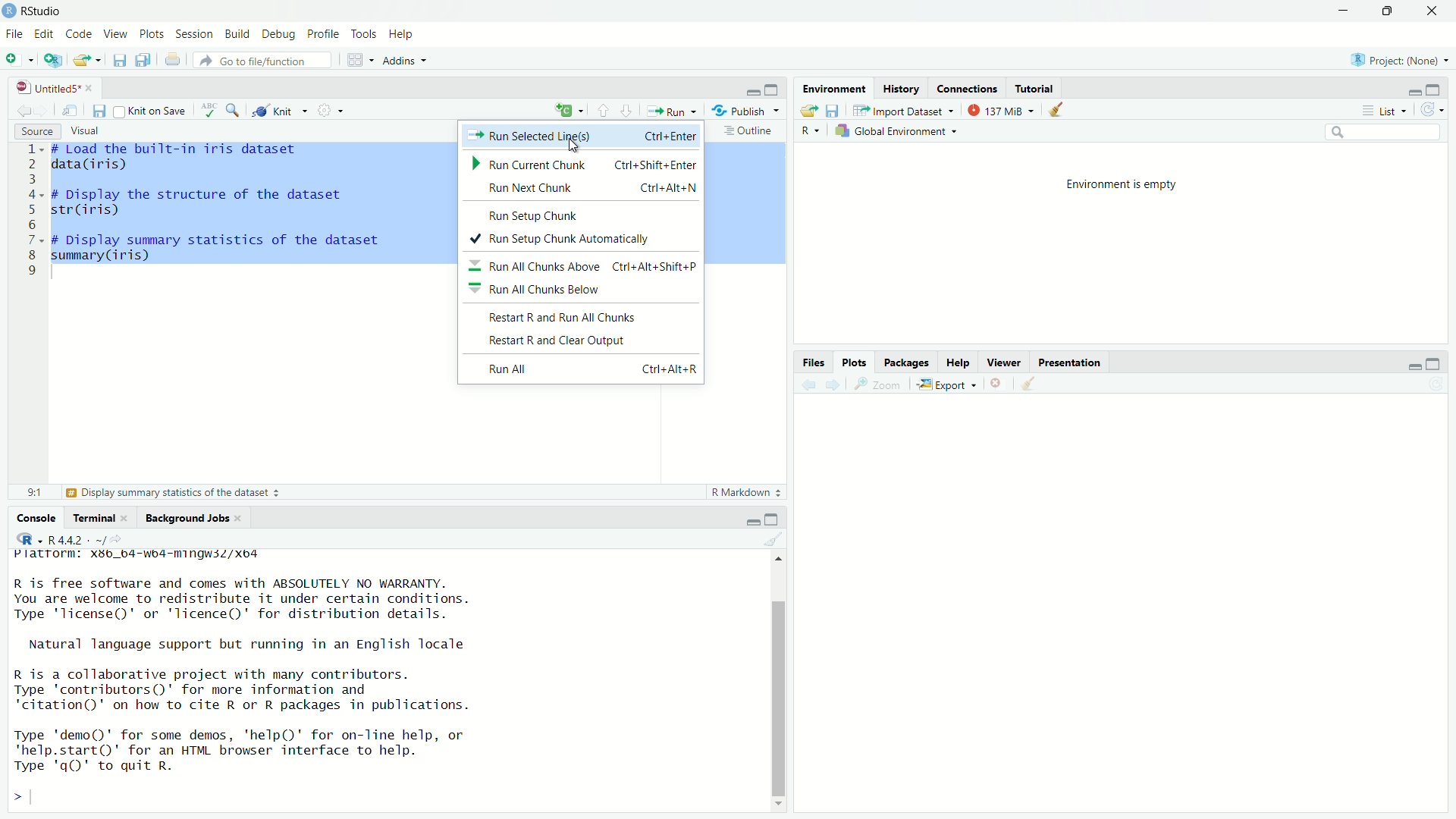 The image size is (1456, 819). I want to click on Find/Replace, so click(234, 110).